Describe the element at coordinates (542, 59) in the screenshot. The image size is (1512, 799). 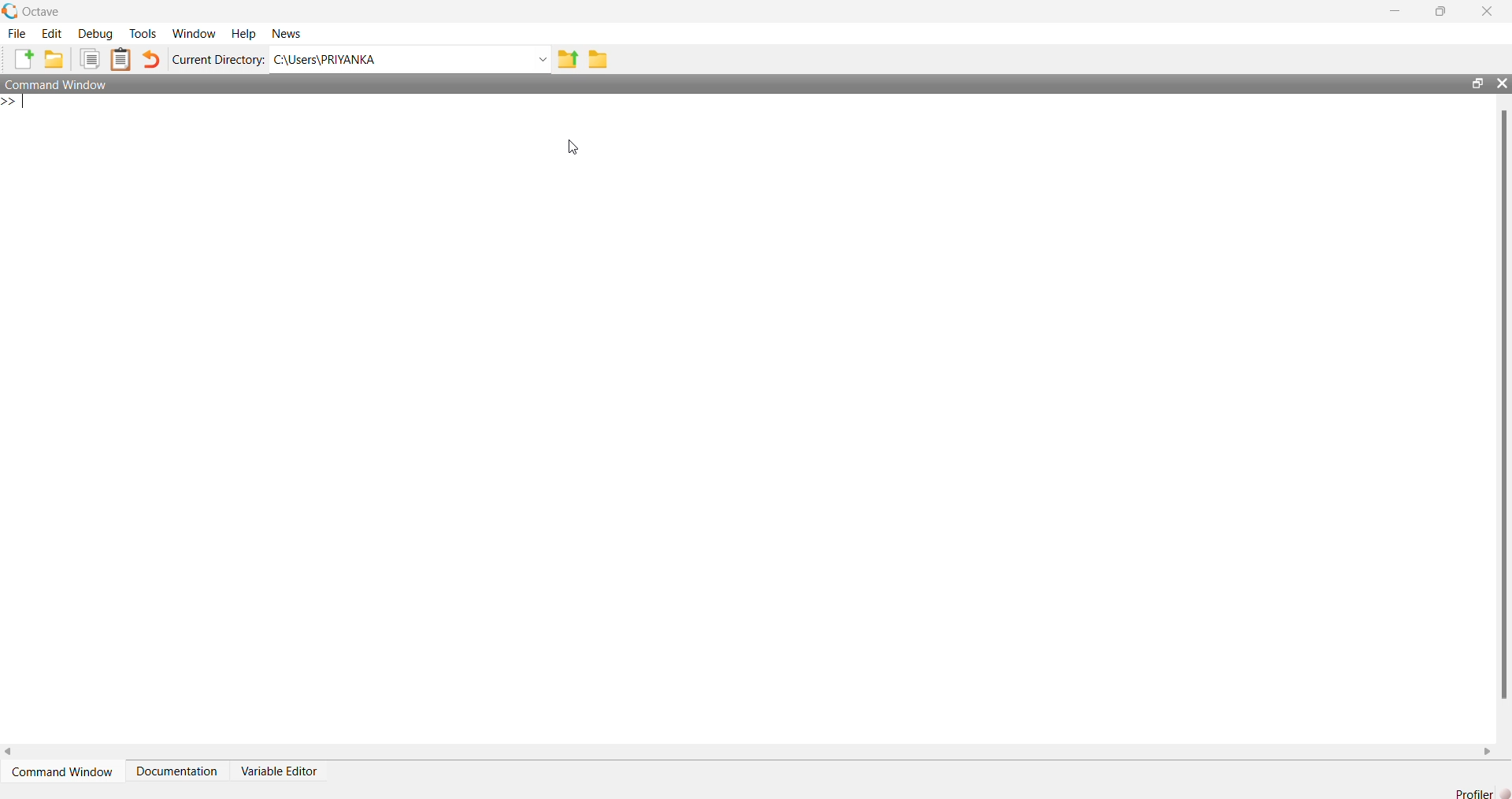
I see `Enter directory name` at that location.